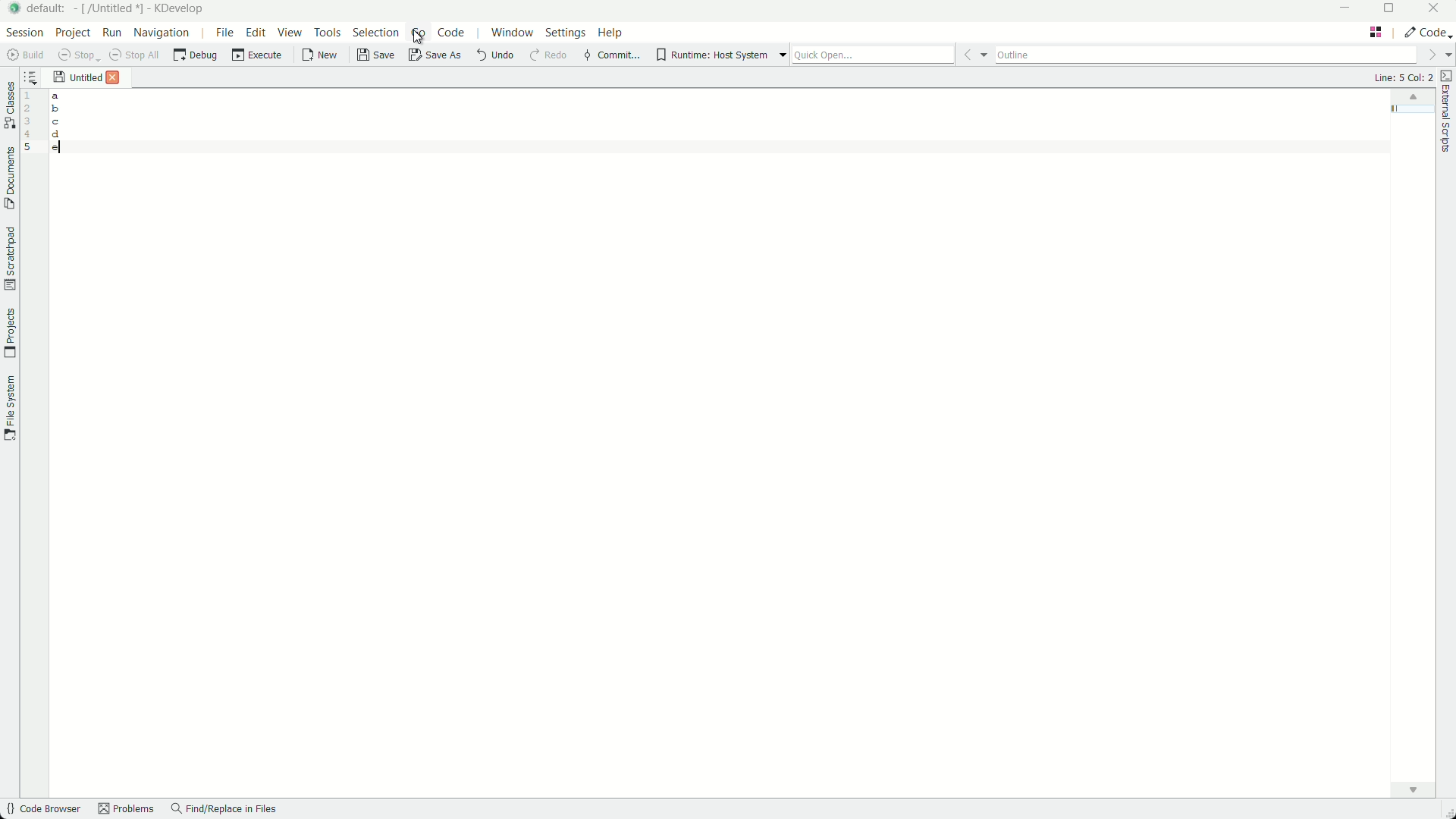 This screenshot has height=819, width=1456. What do you see at coordinates (612, 34) in the screenshot?
I see `help` at bounding box center [612, 34].